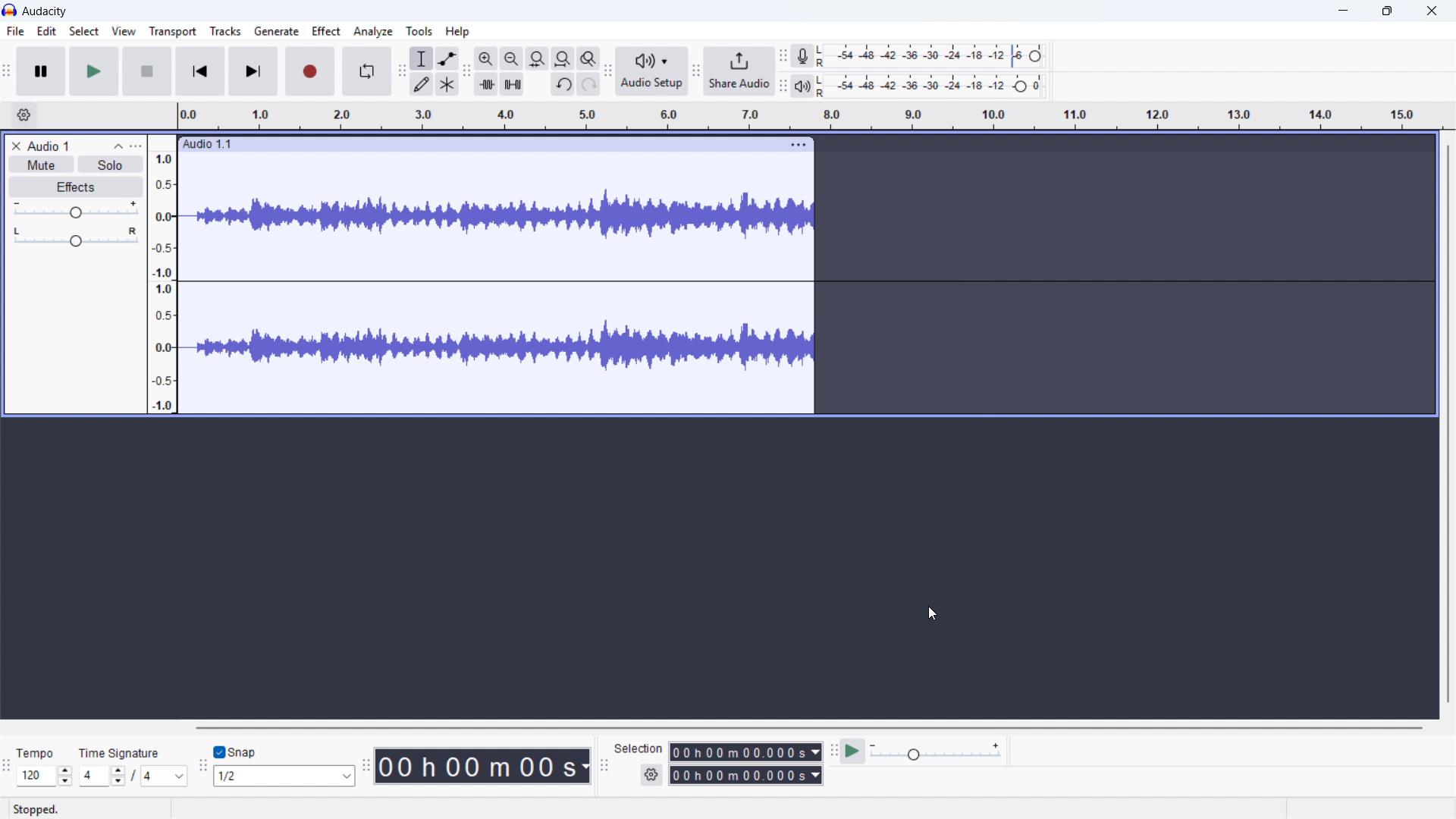 Image resolution: width=1456 pixels, height=819 pixels. What do you see at coordinates (40, 164) in the screenshot?
I see `Mute ` at bounding box center [40, 164].